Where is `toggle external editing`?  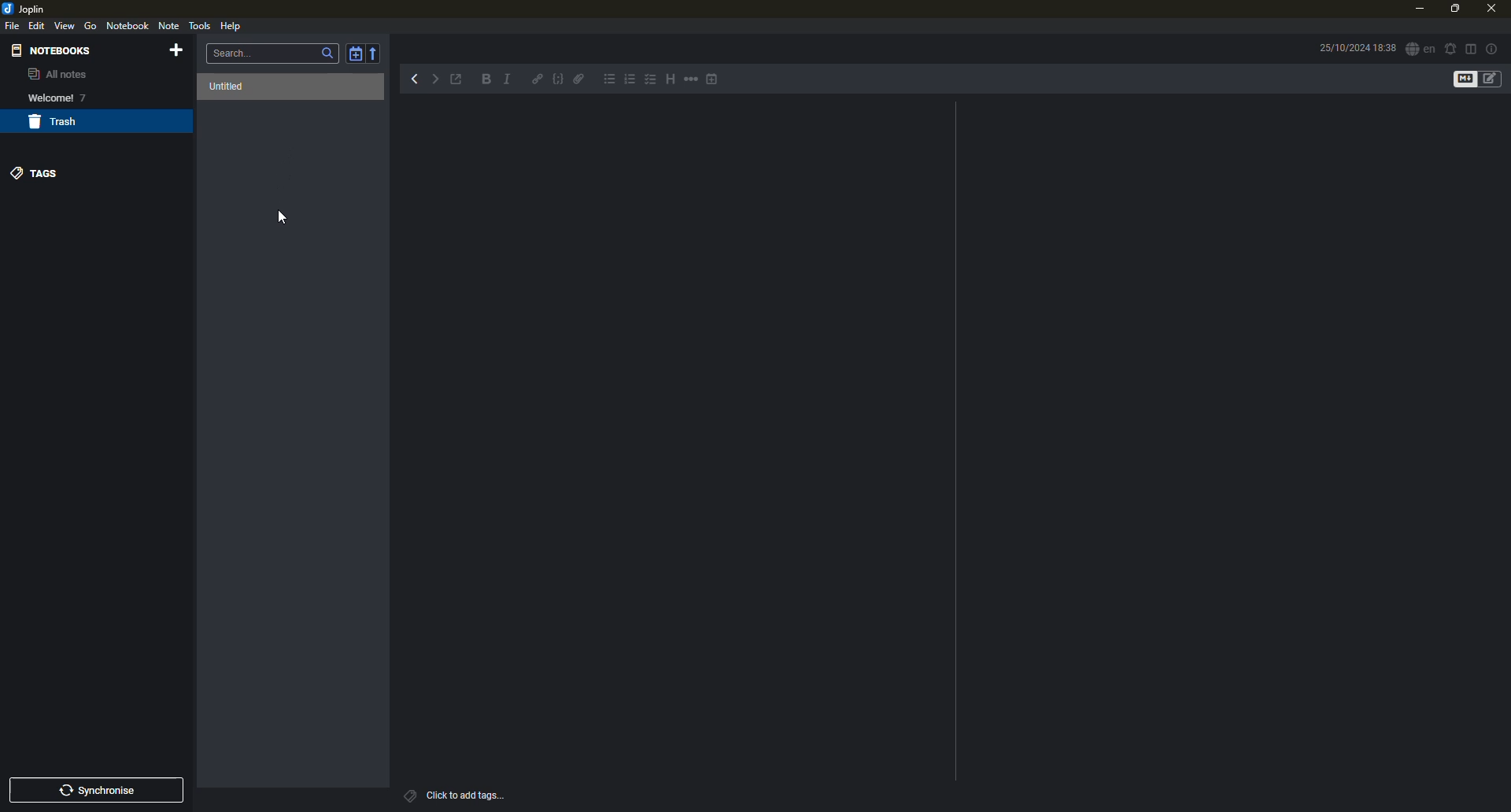
toggle external editing is located at coordinates (460, 80).